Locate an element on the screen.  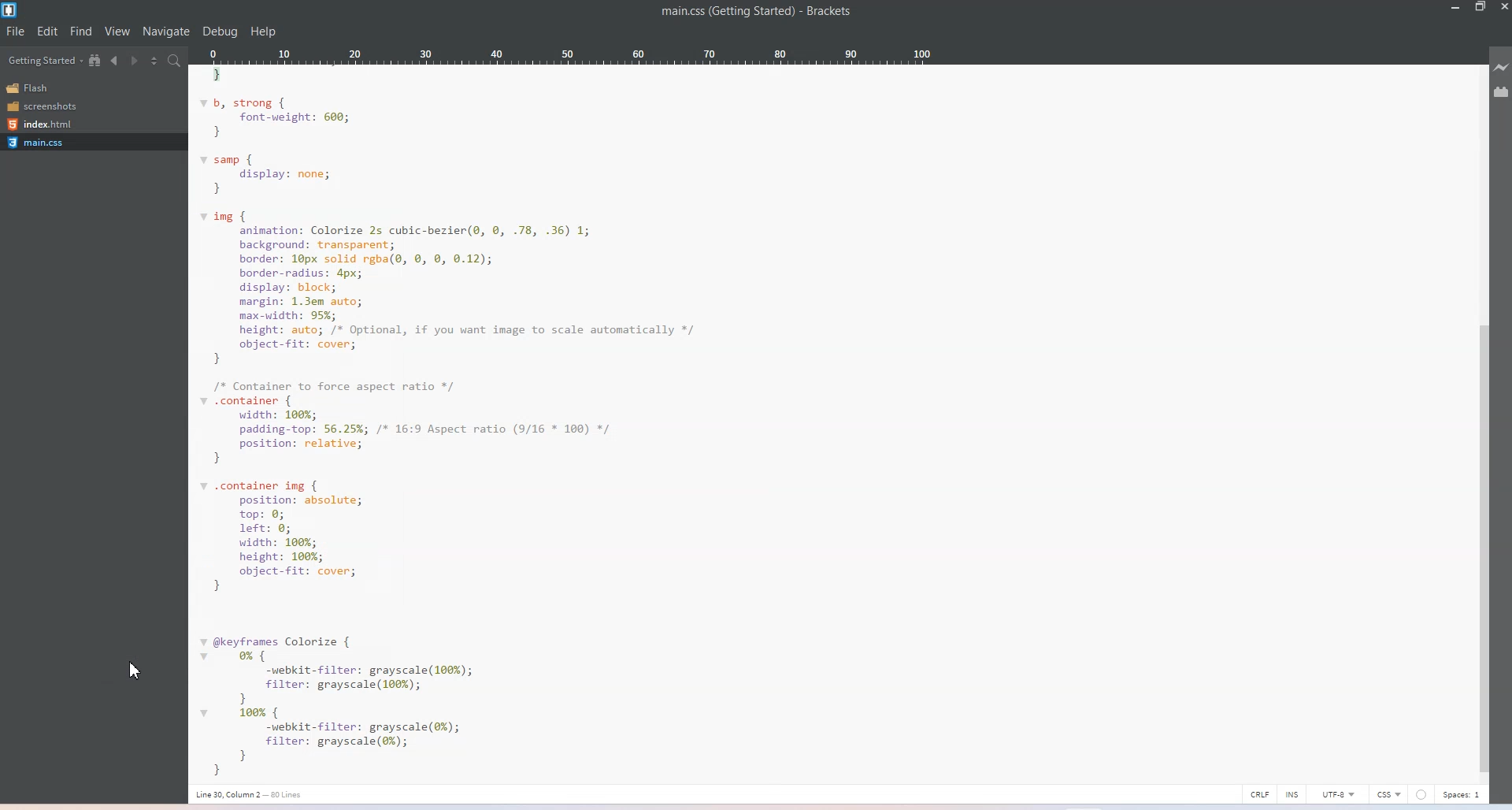
Navigate is located at coordinates (168, 32).